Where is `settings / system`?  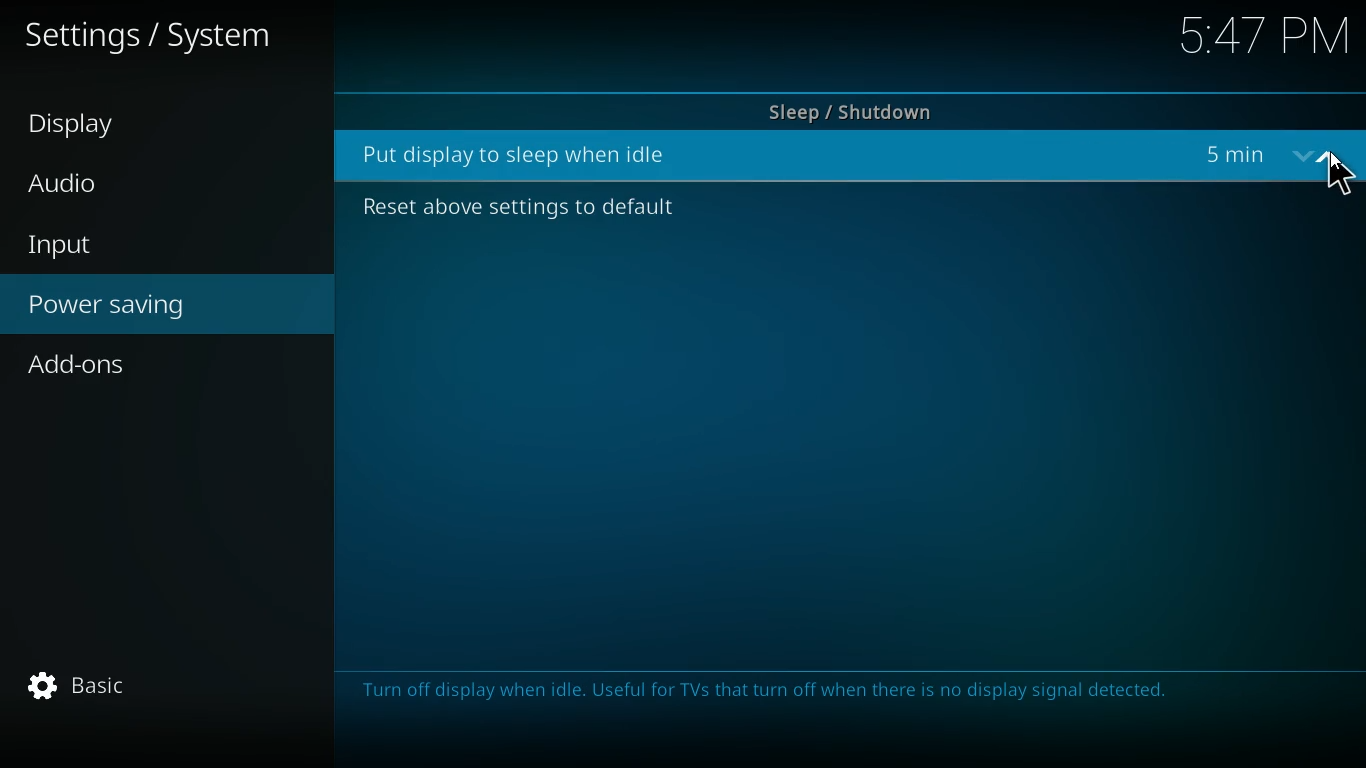 settings / system is located at coordinates (159, 41).